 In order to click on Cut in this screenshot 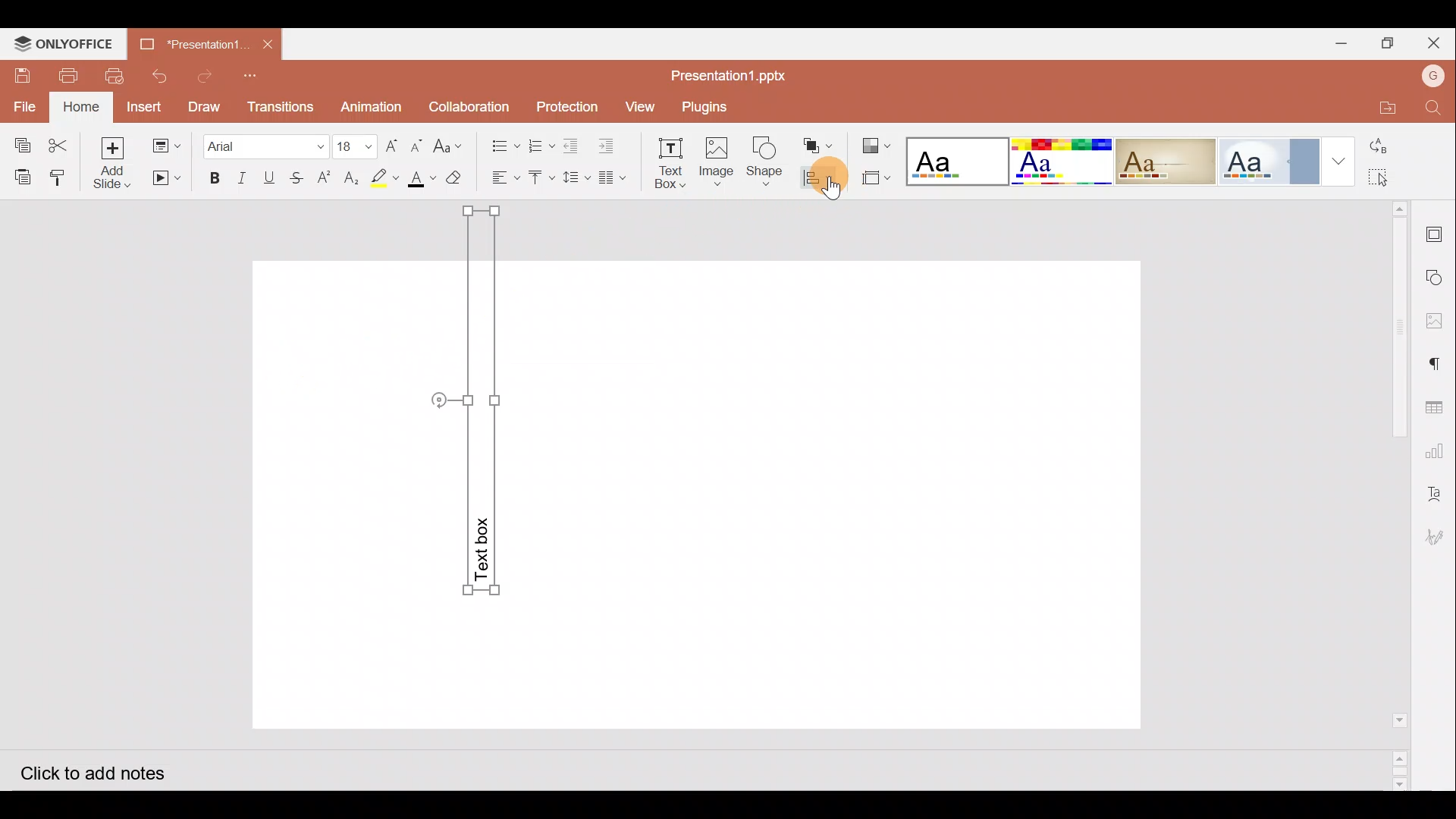, I will do `click(63, 142)`.